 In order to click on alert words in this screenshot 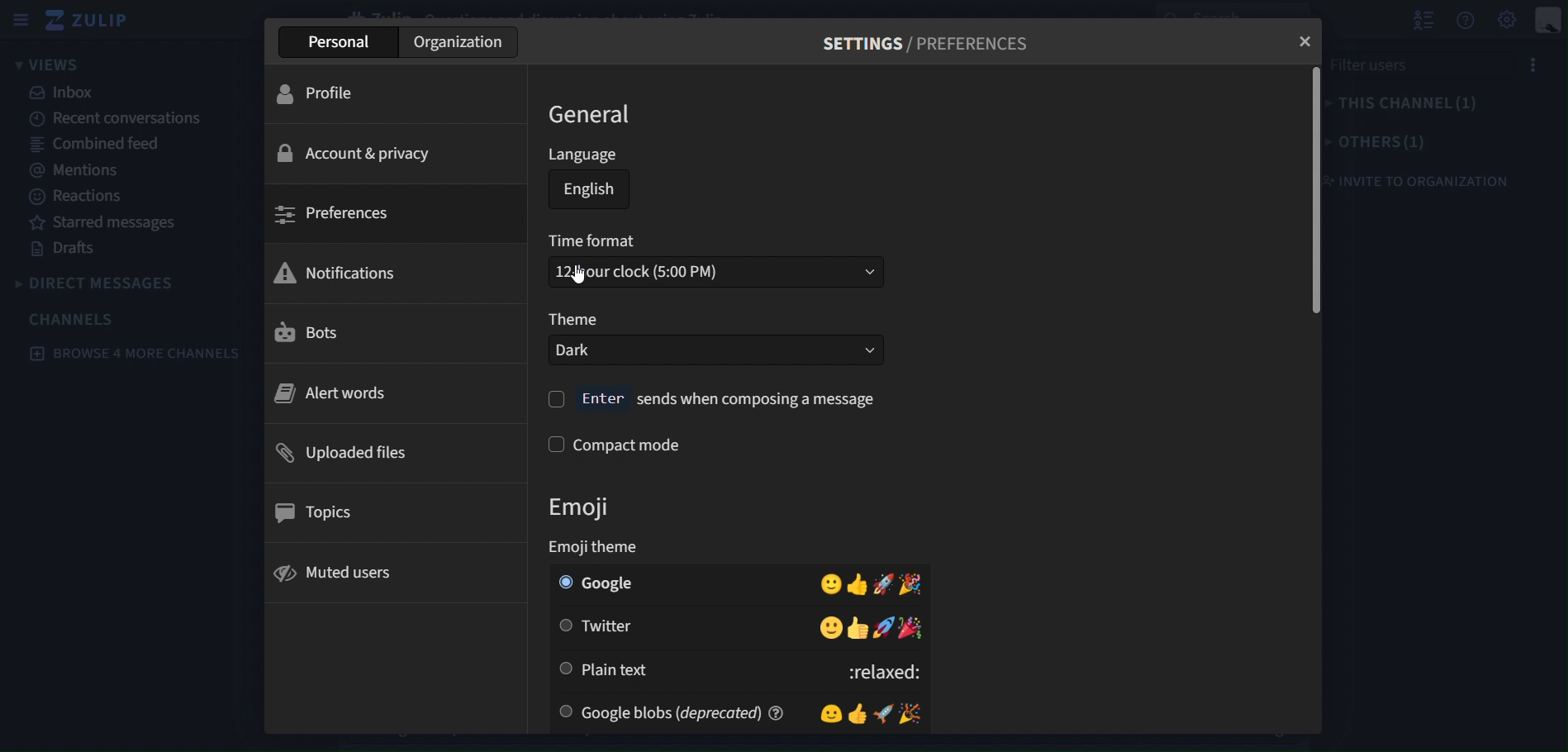, I will do `click(389, 394)`.